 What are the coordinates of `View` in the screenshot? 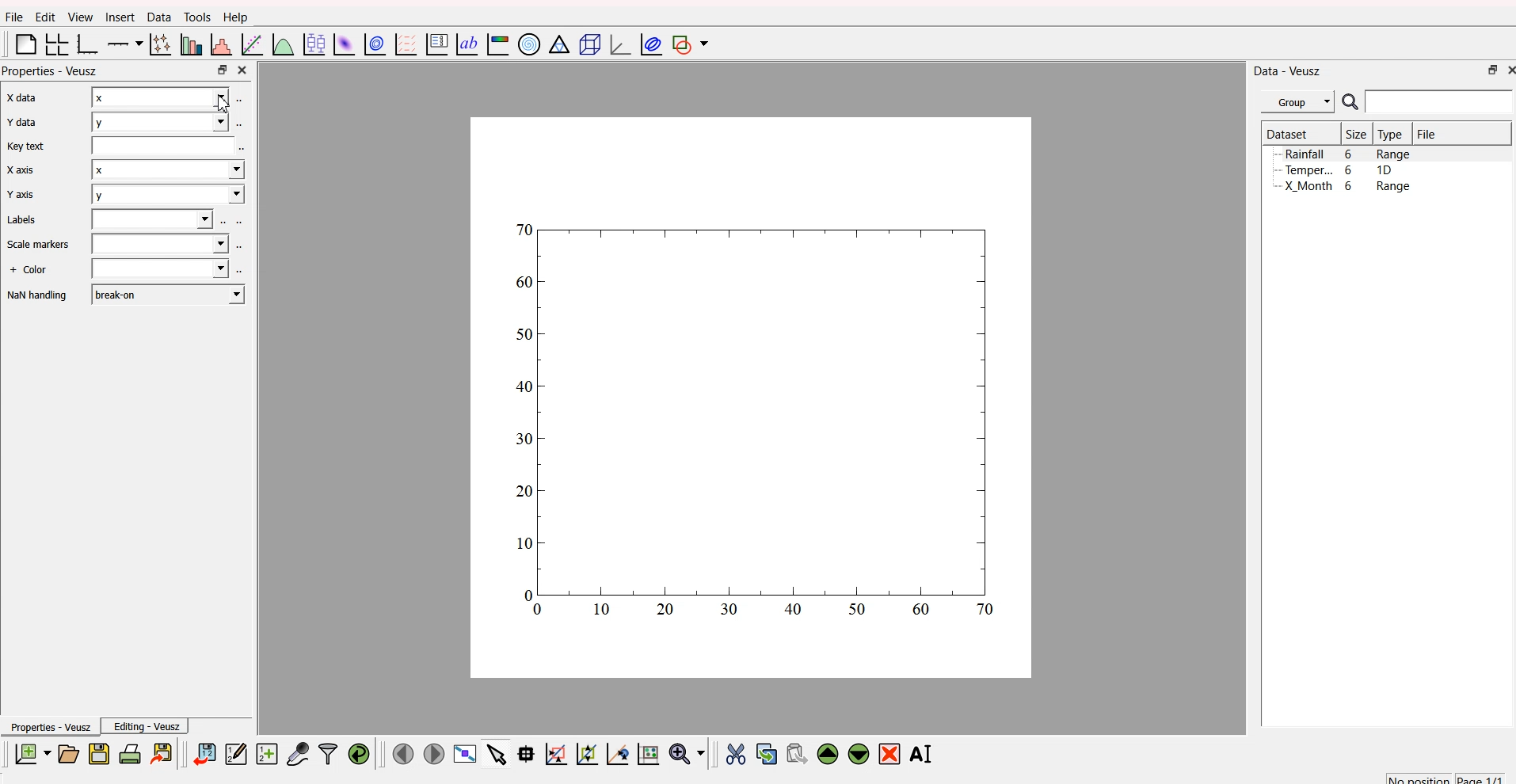 It's located at (76, 17).